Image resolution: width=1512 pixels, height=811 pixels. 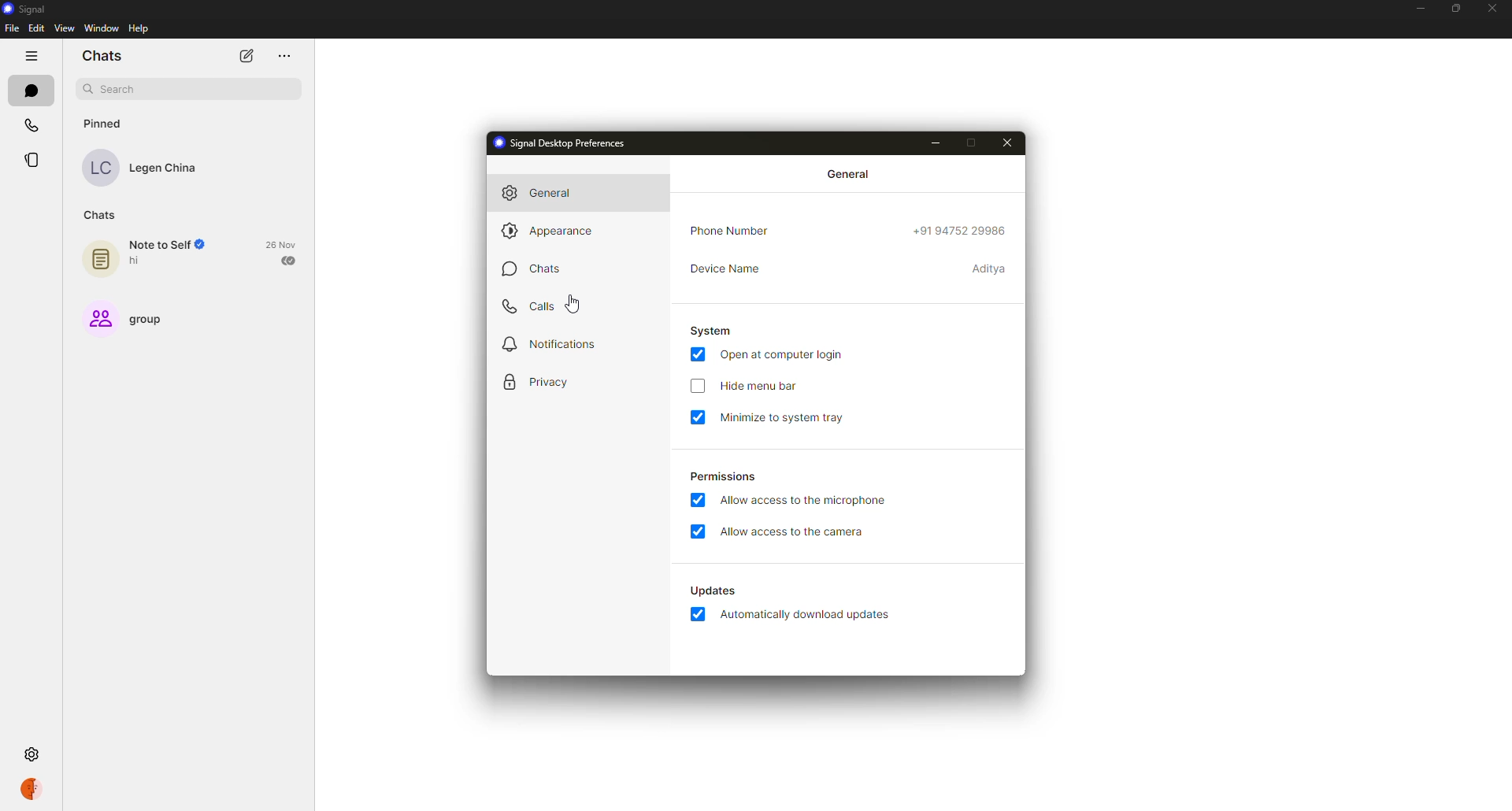 What do you see at coordinates (33, 124) in the screenshot?
I see `calls` at bounding box center [33, 124].